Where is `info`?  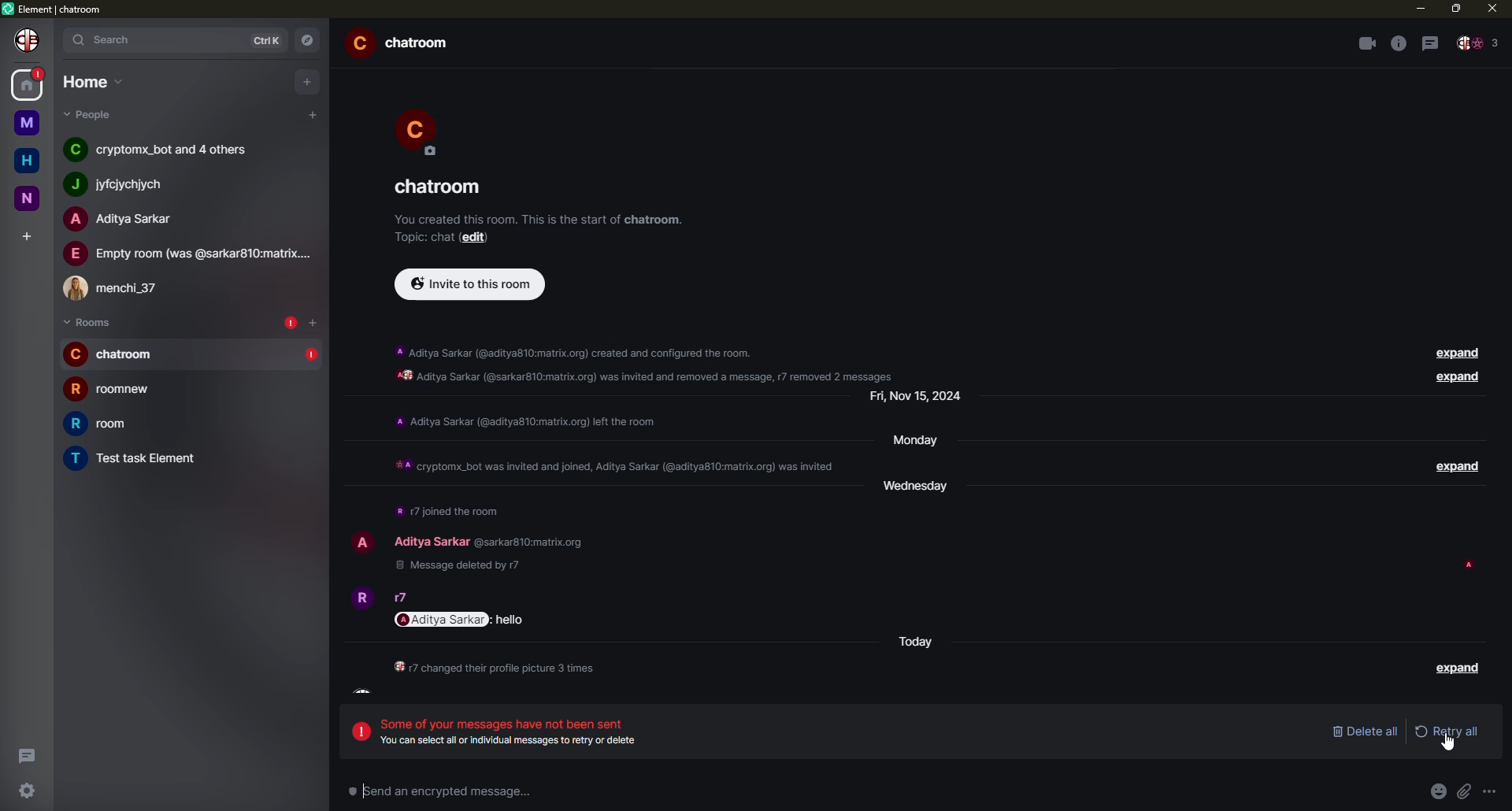
info is located at coordinates (497, 669).